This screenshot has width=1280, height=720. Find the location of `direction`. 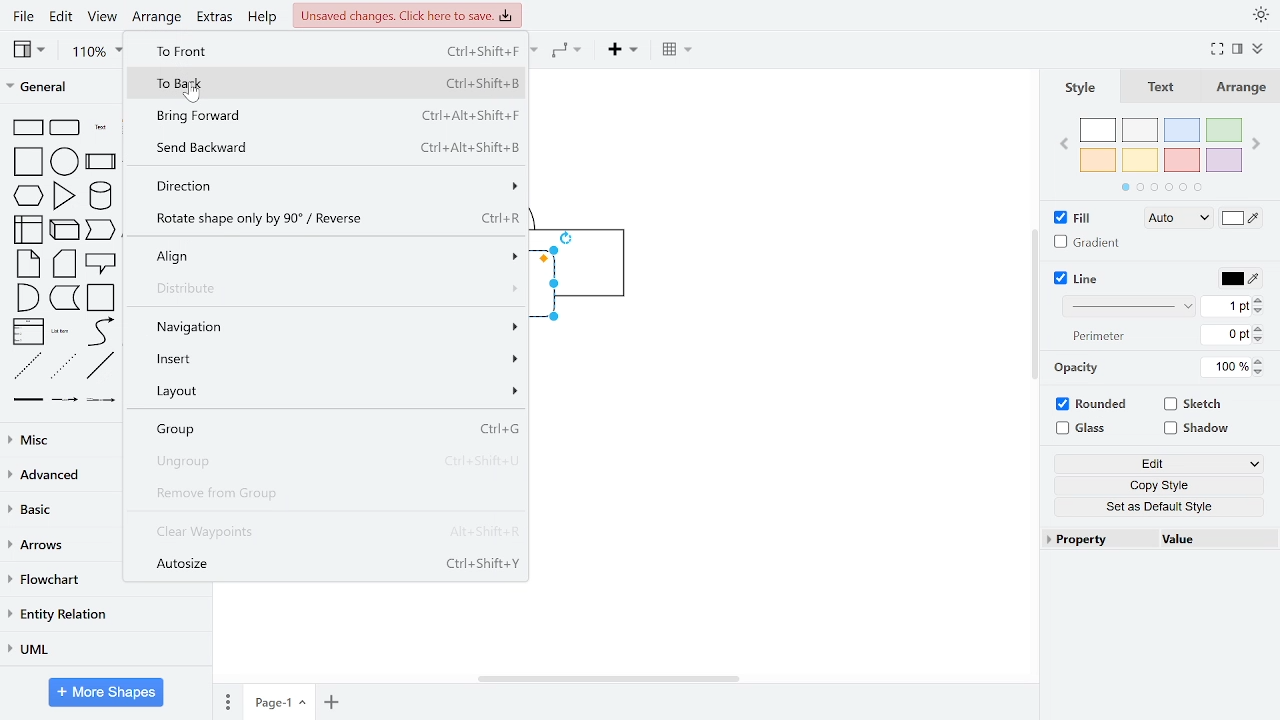

direction is located at coordinates (333, 186).